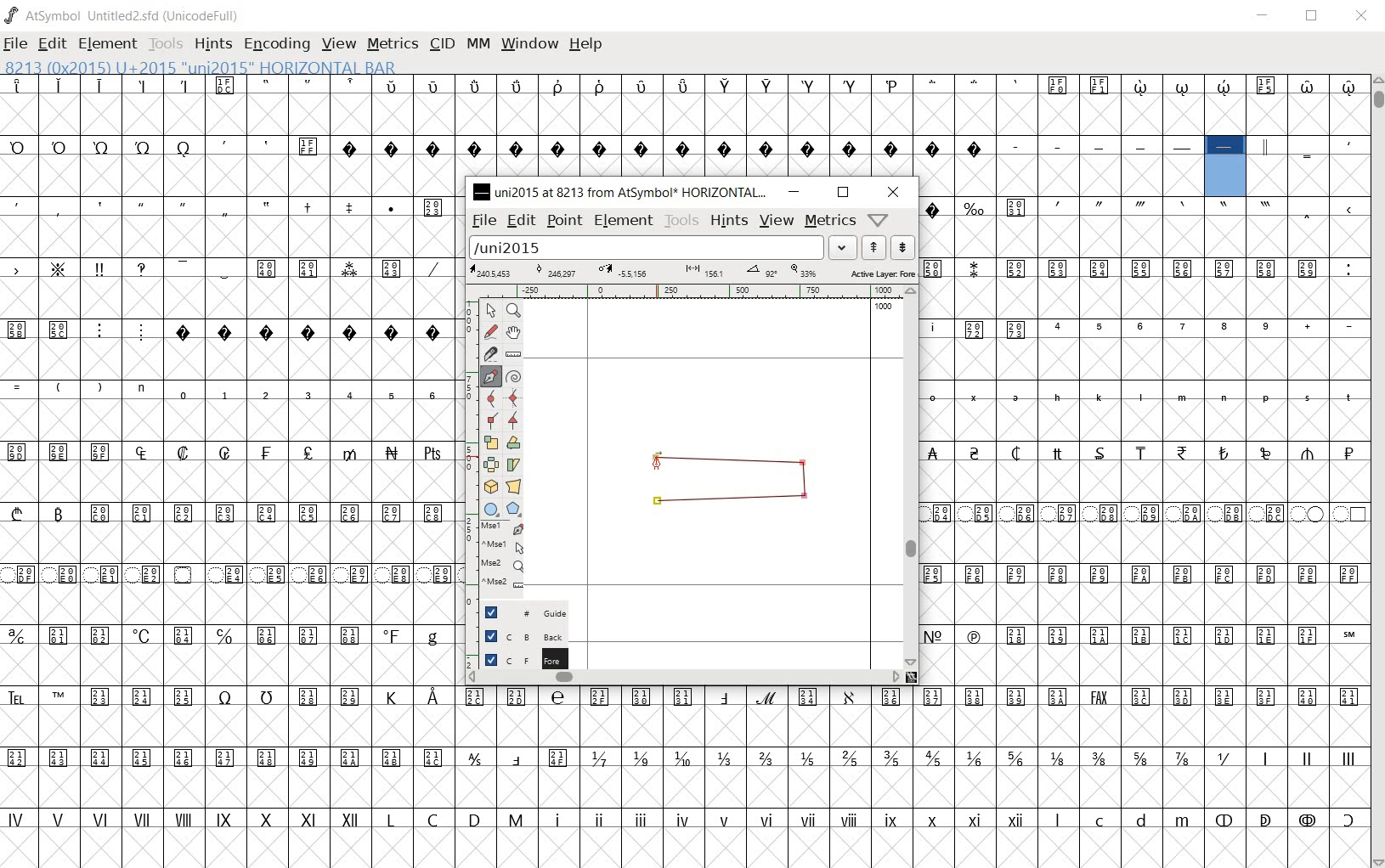 The height and width of the screenshot is (868, 1385). I want to click on draw a freehand curve, so click(490, 331).